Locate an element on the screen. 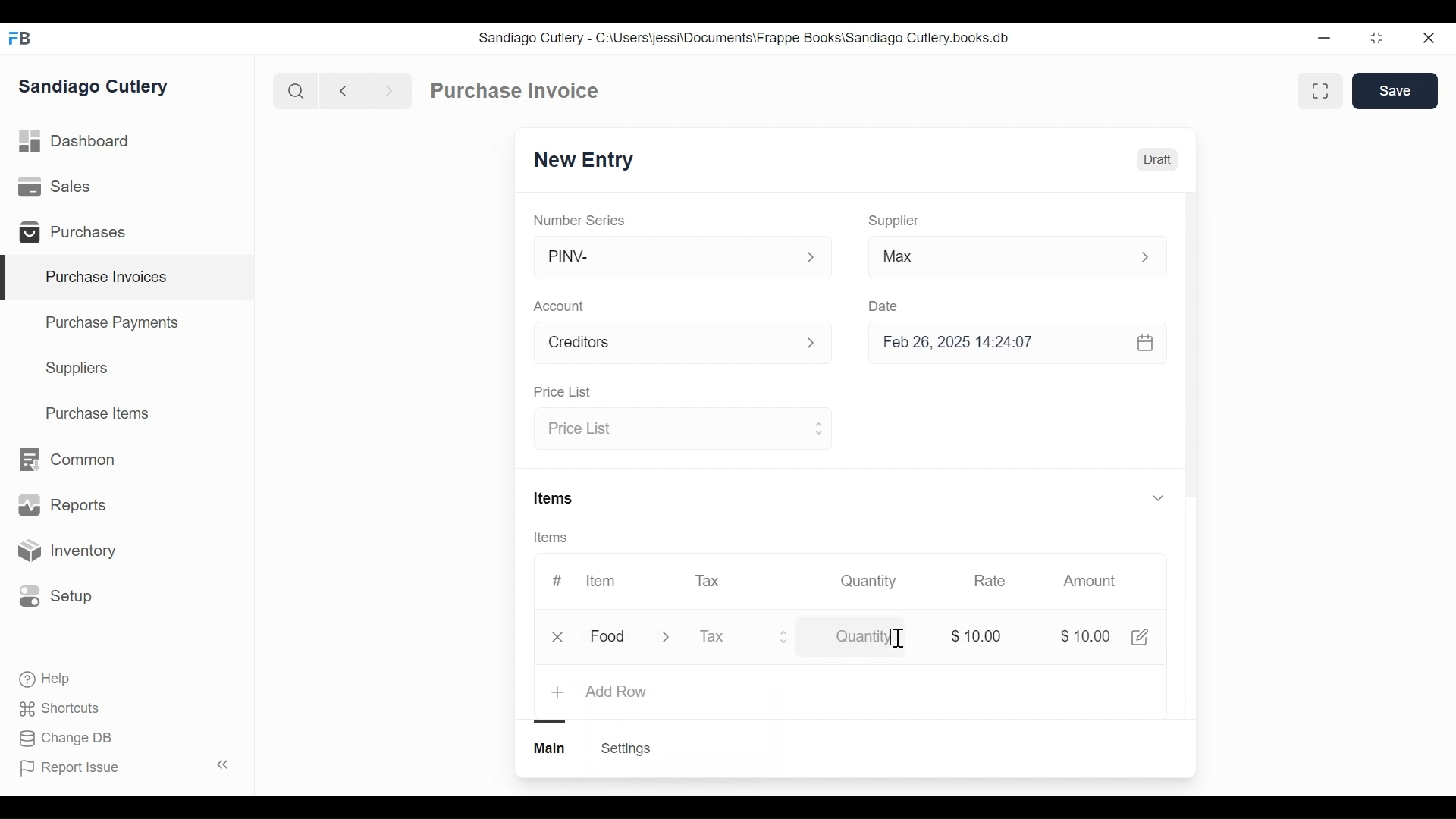  Feb 26, 2025 14:24:07 is located at coordinates (1009, 343).